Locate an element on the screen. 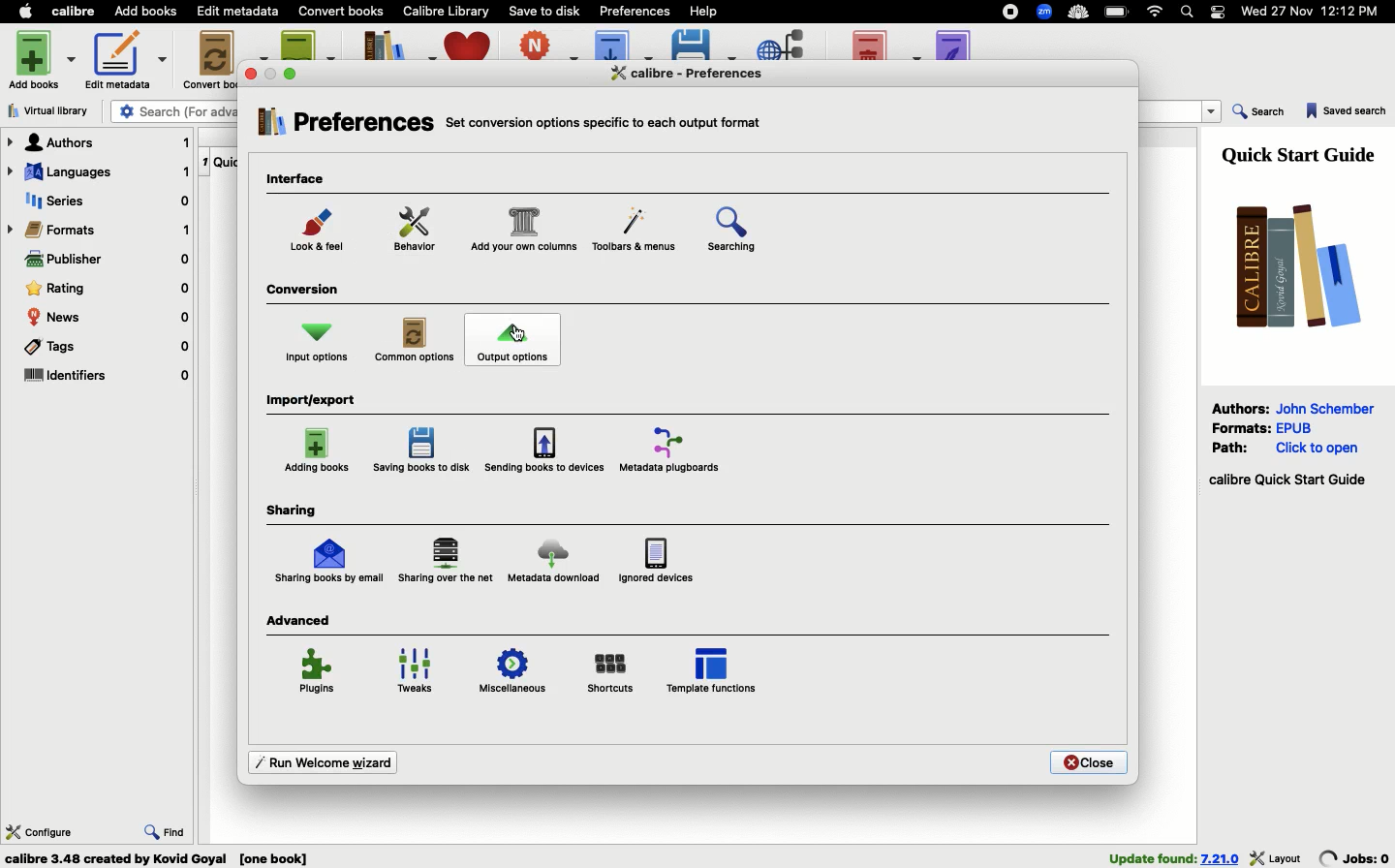 The width and height of the screenshot is (1395, 868). Save to disk is located at coordinates (545, 10).